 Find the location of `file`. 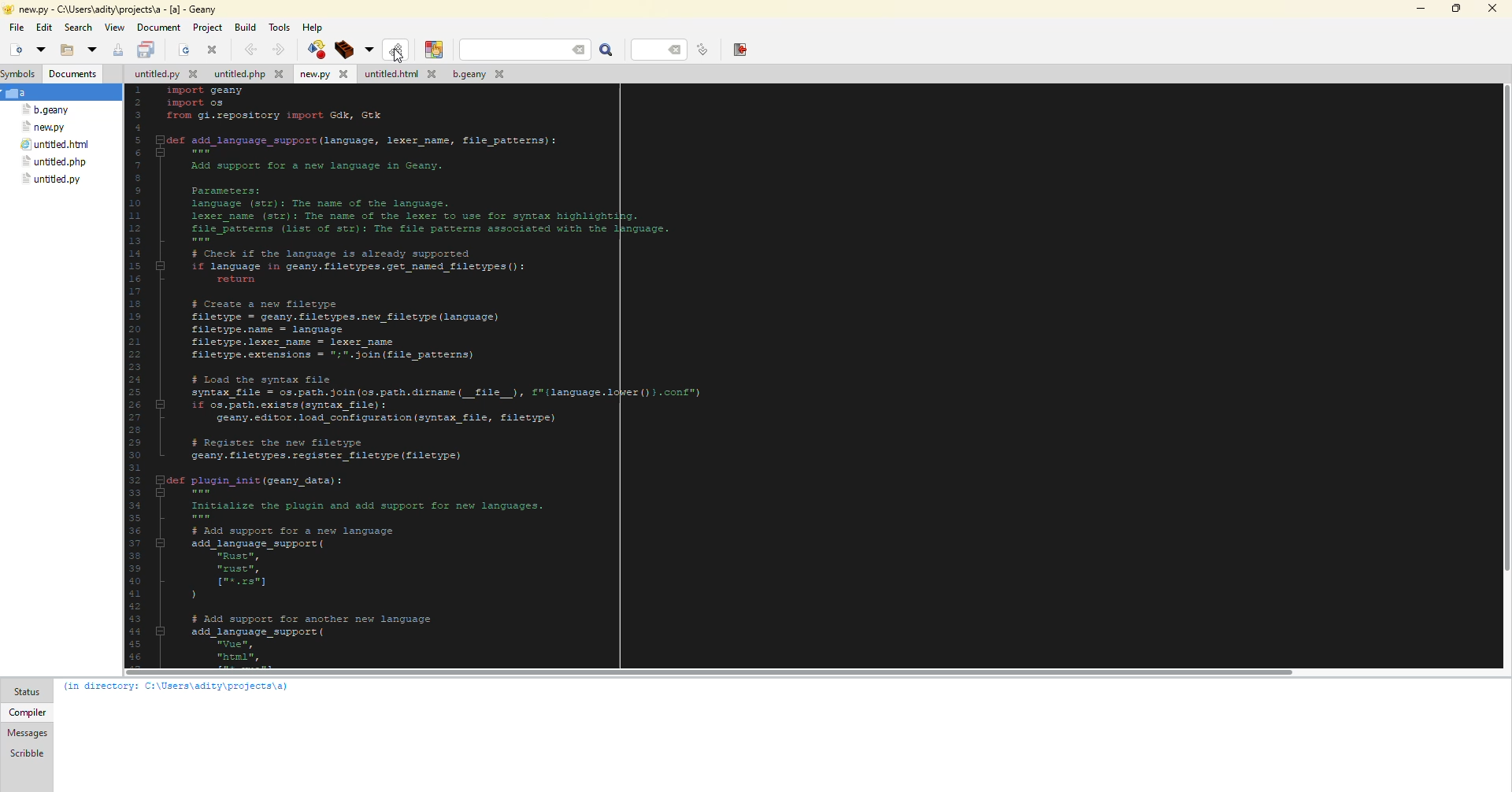

file is located at coordinates (246, 75).